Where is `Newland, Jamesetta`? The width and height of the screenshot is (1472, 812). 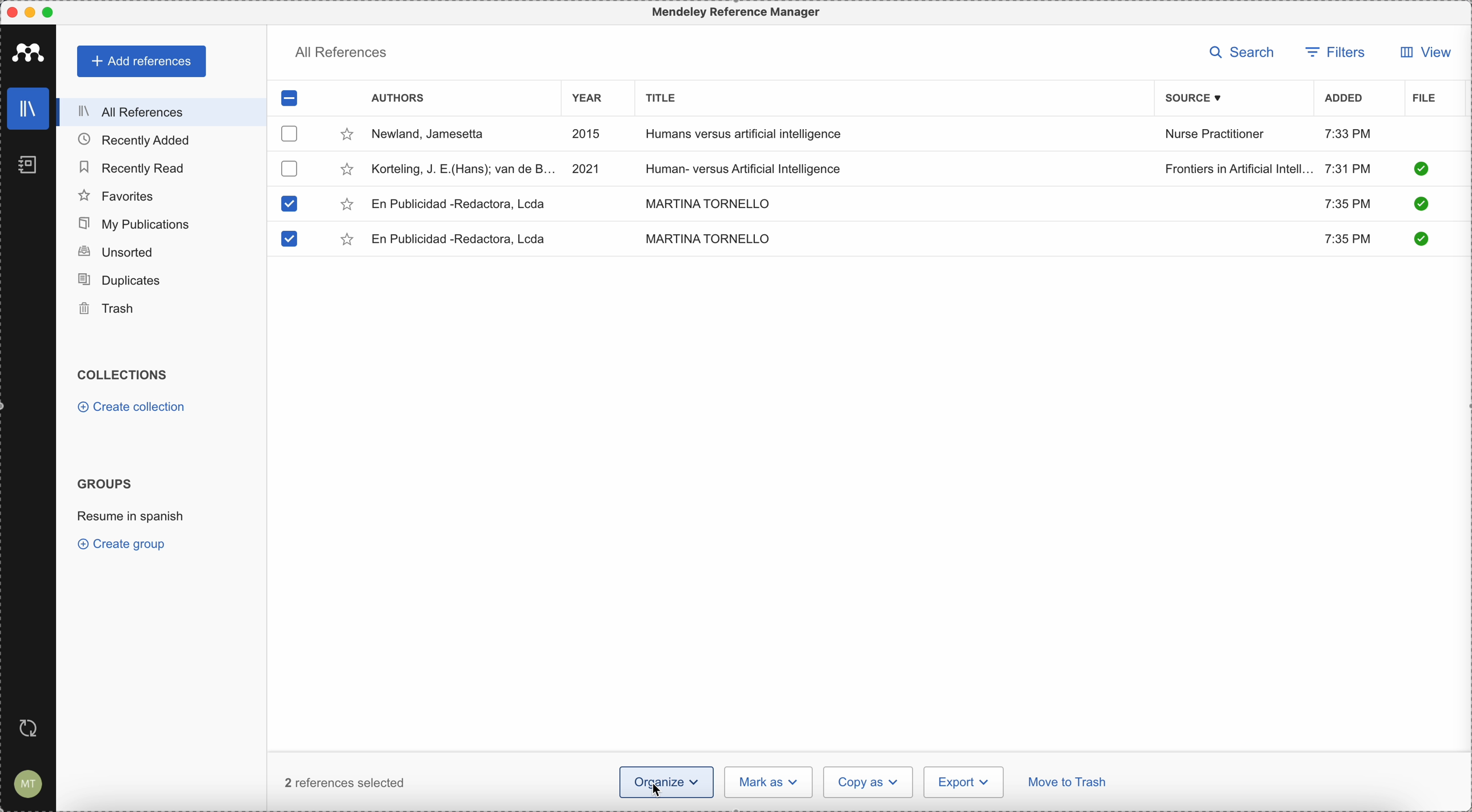
Newland, Jamesetta is located at coordinates (434, 135).